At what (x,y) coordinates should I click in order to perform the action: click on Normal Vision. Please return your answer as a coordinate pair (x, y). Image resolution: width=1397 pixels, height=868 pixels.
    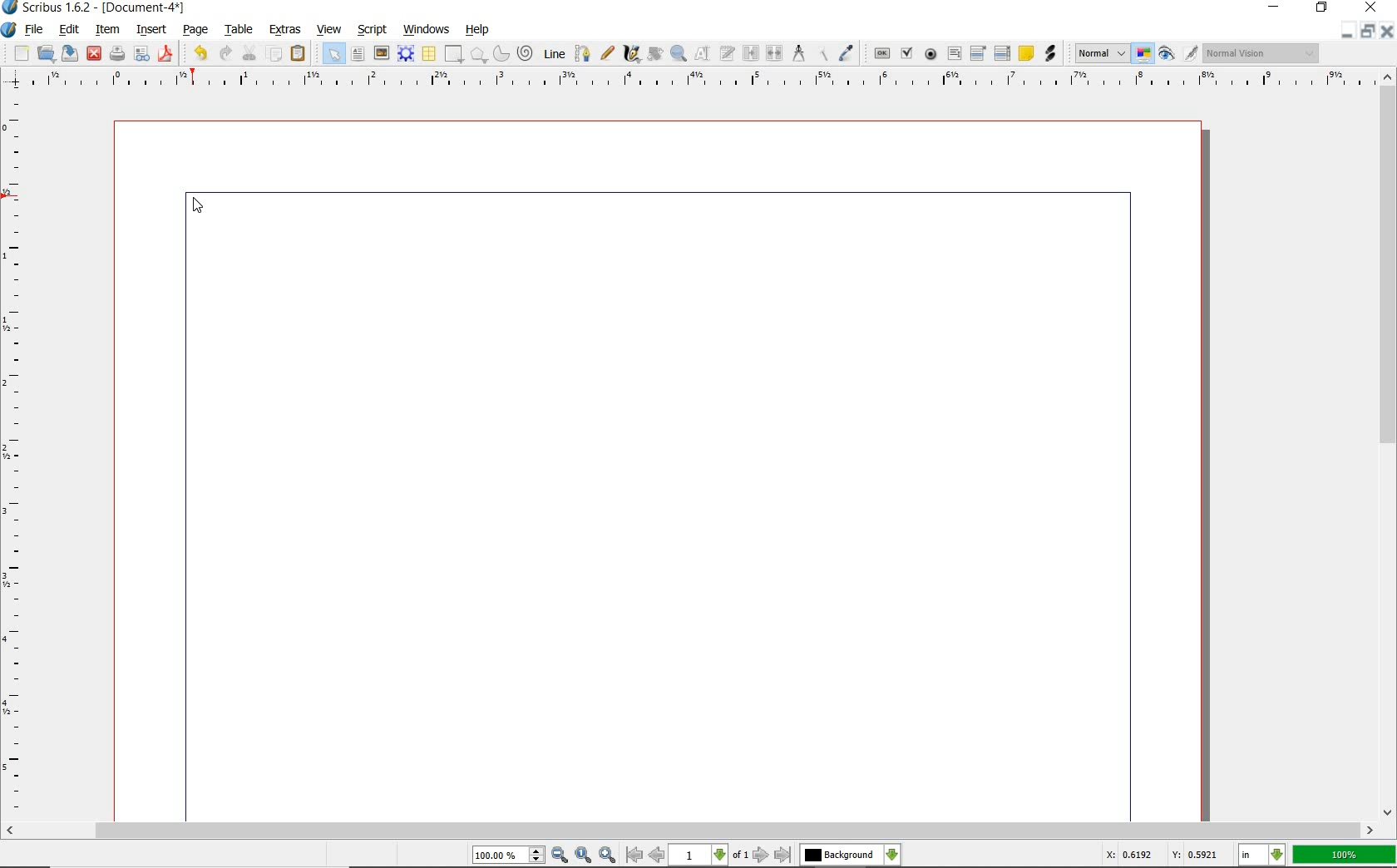
    Looking at the image, I should click on (1261, 52).